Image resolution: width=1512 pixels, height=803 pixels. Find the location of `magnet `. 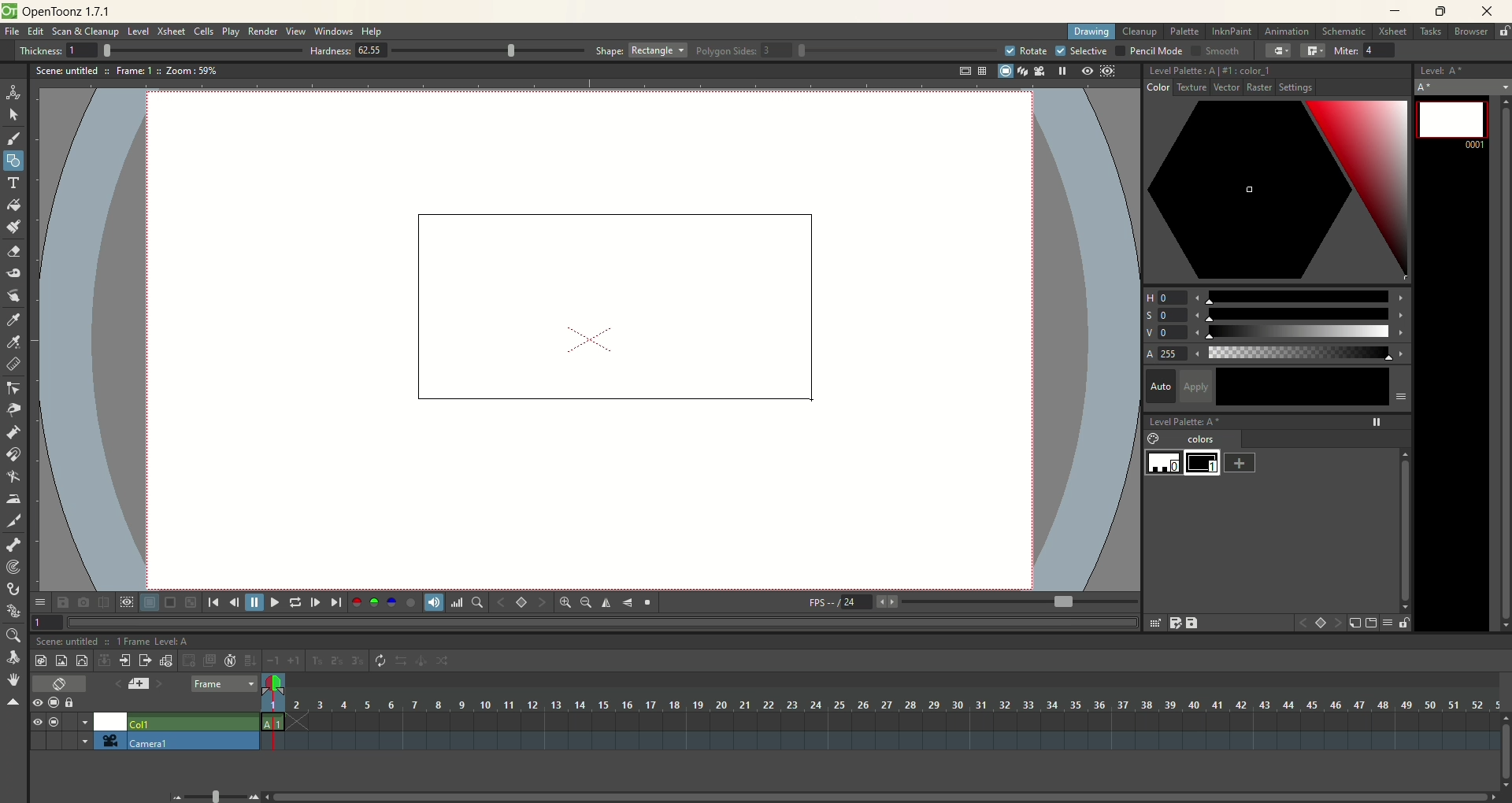

magnet  is located at coordinates (14, 453).